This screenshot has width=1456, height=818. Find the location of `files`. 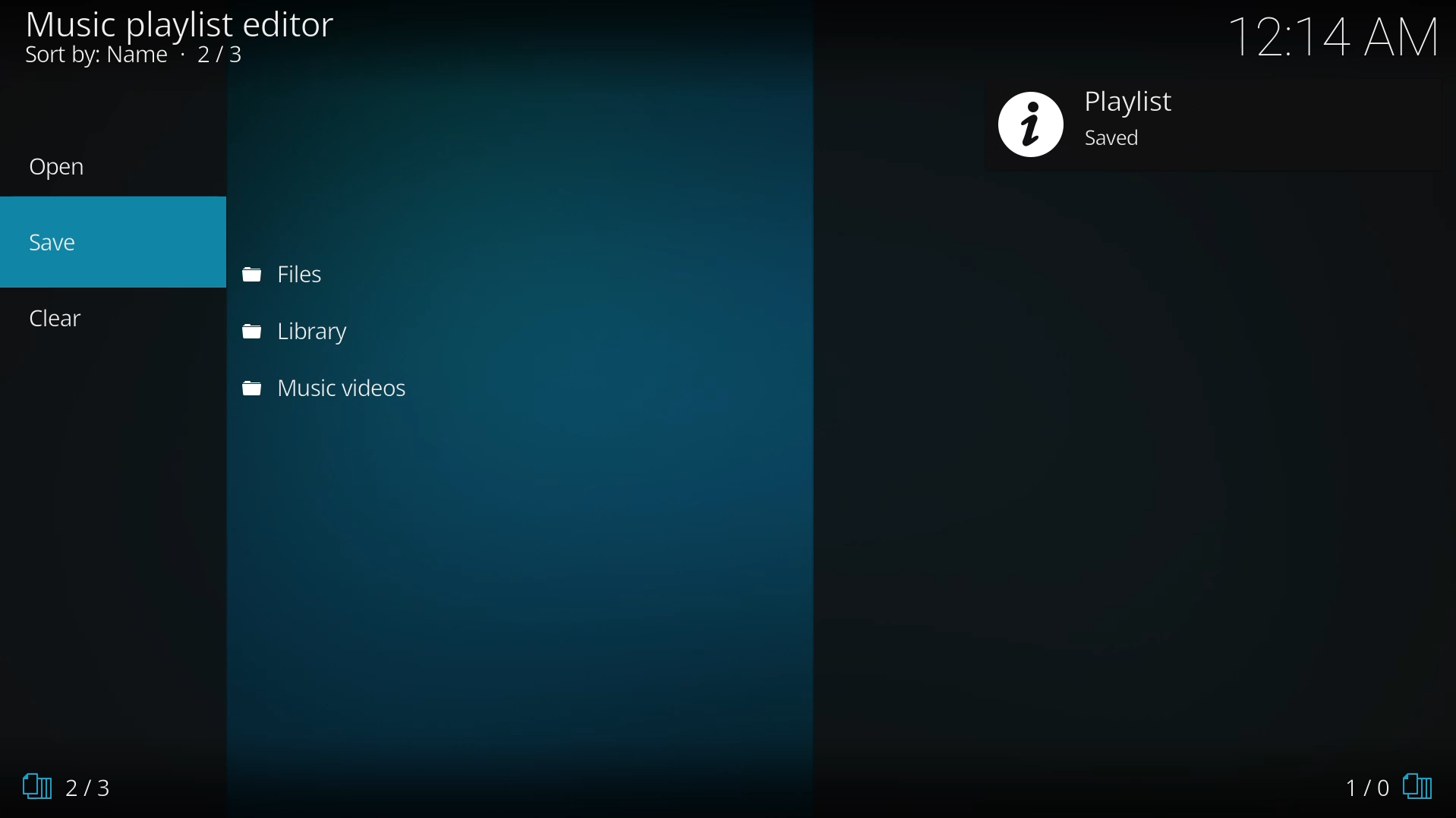

files is located at coordinates (280, 274).